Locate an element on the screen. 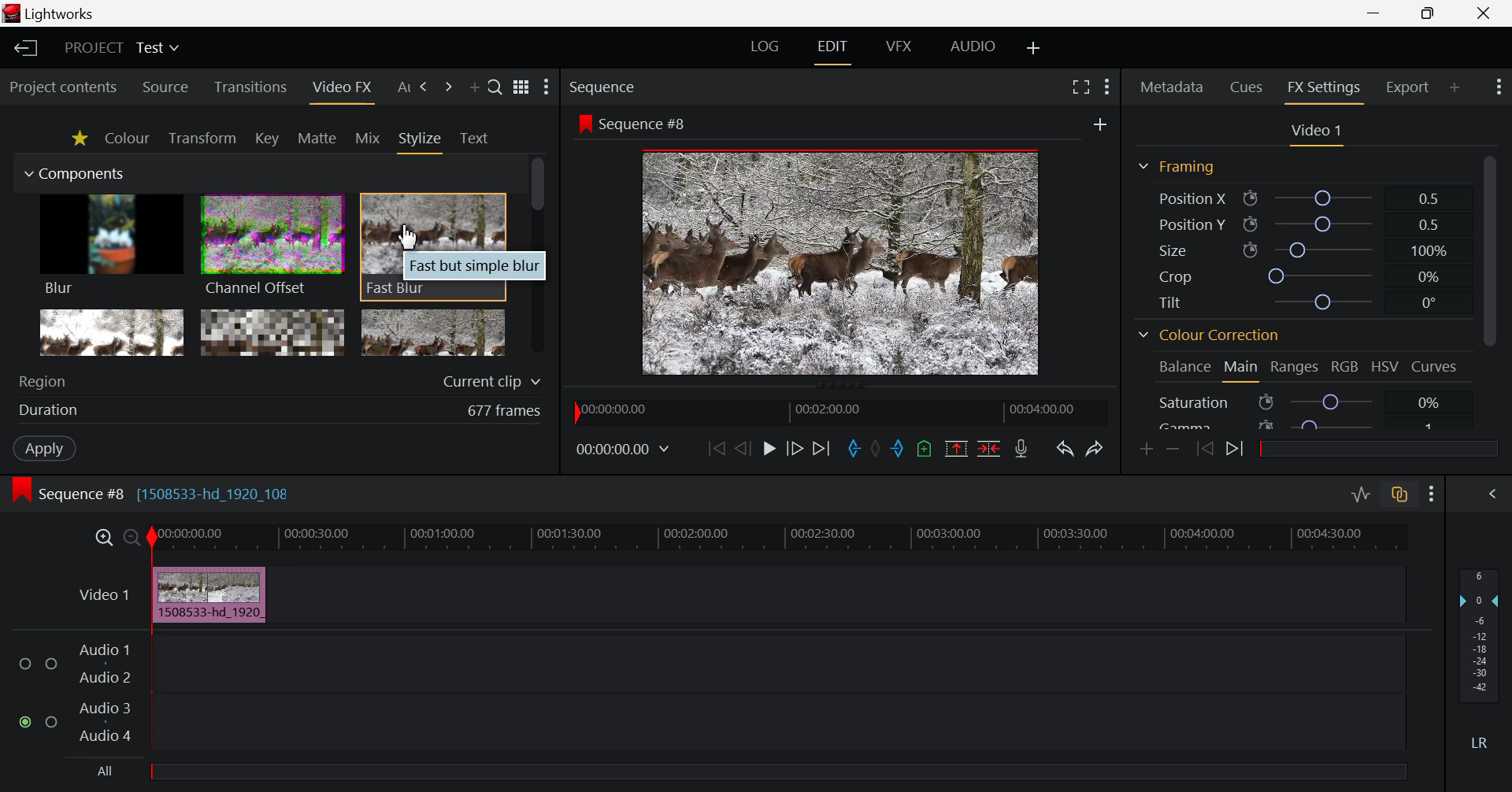  HSV is located at coordinates (1384, 367).